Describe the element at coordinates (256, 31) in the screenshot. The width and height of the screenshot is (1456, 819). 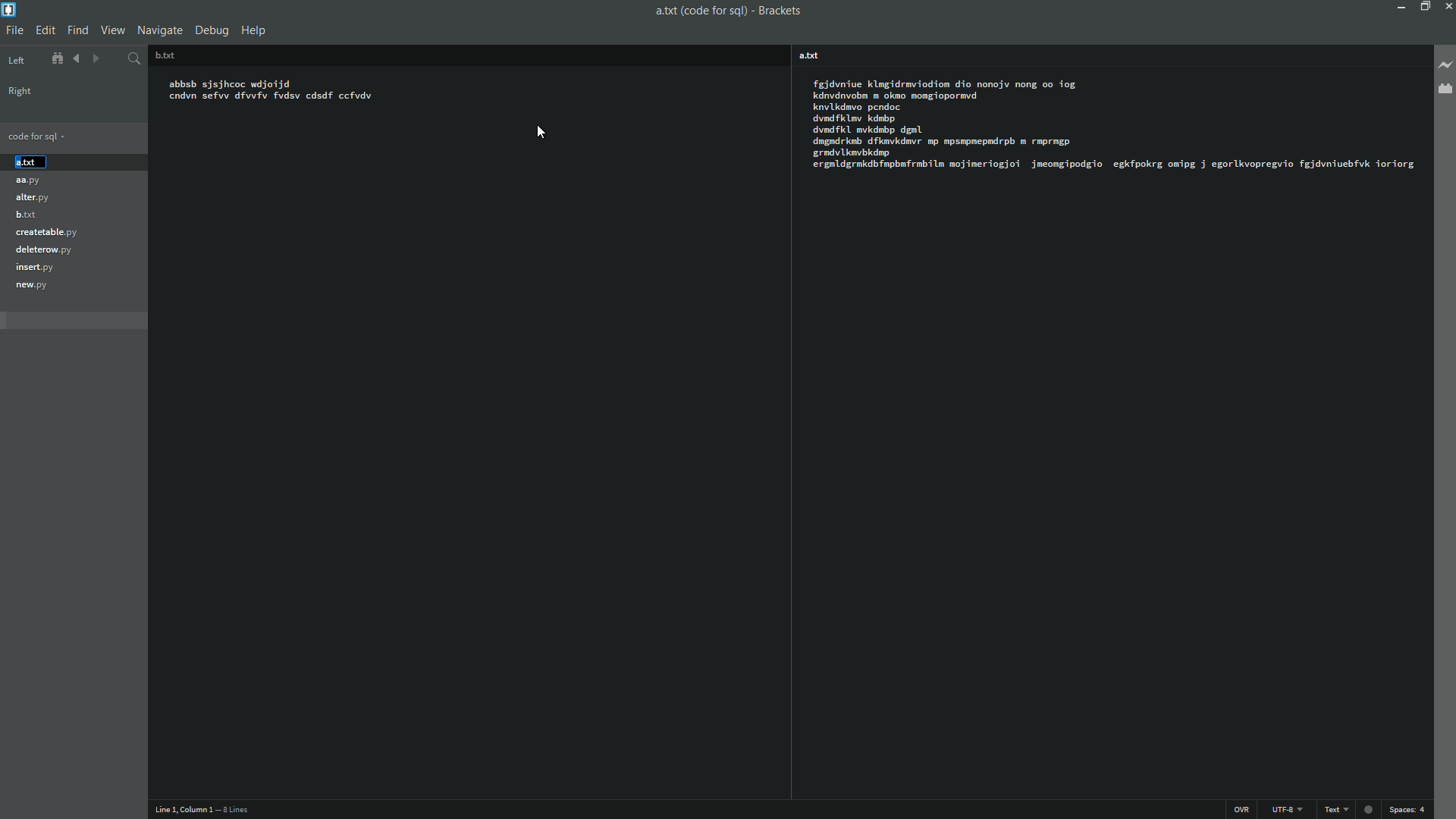
I see `Help menu` at that location.